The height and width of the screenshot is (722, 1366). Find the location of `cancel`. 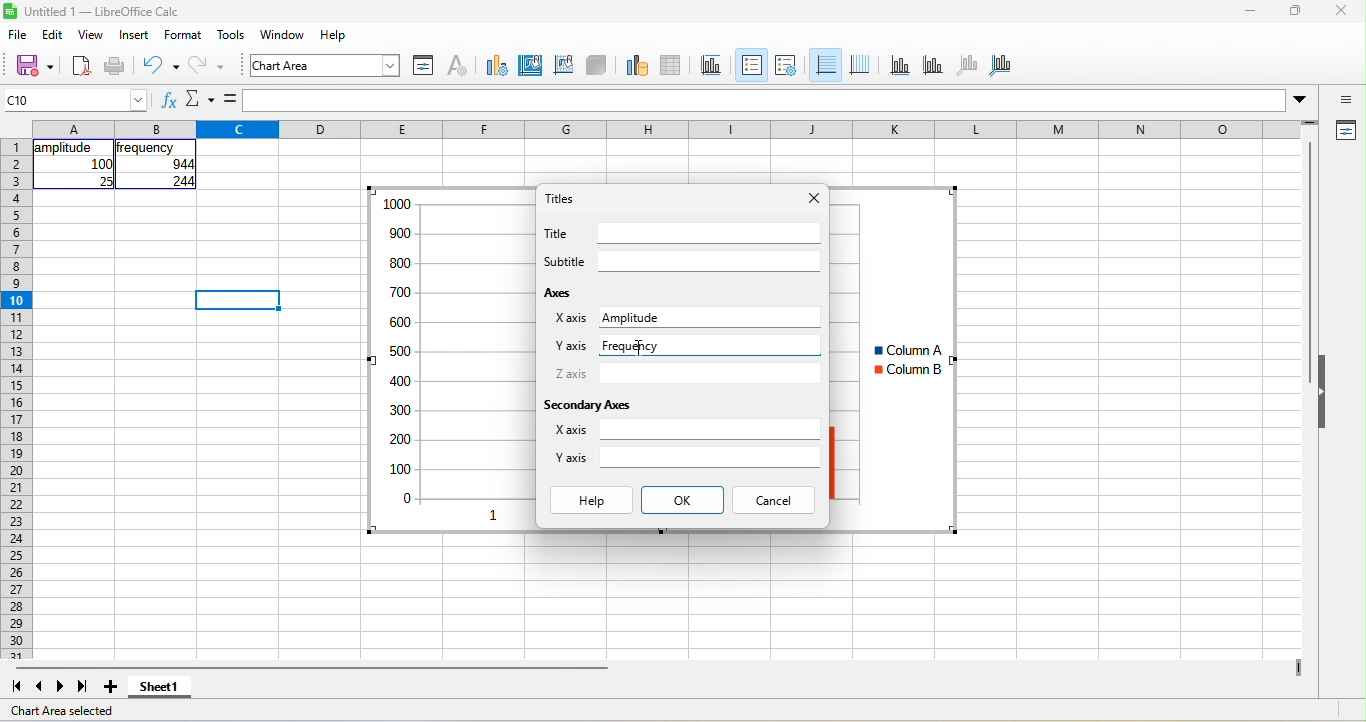

cancel is located at coordinates (773, 500).